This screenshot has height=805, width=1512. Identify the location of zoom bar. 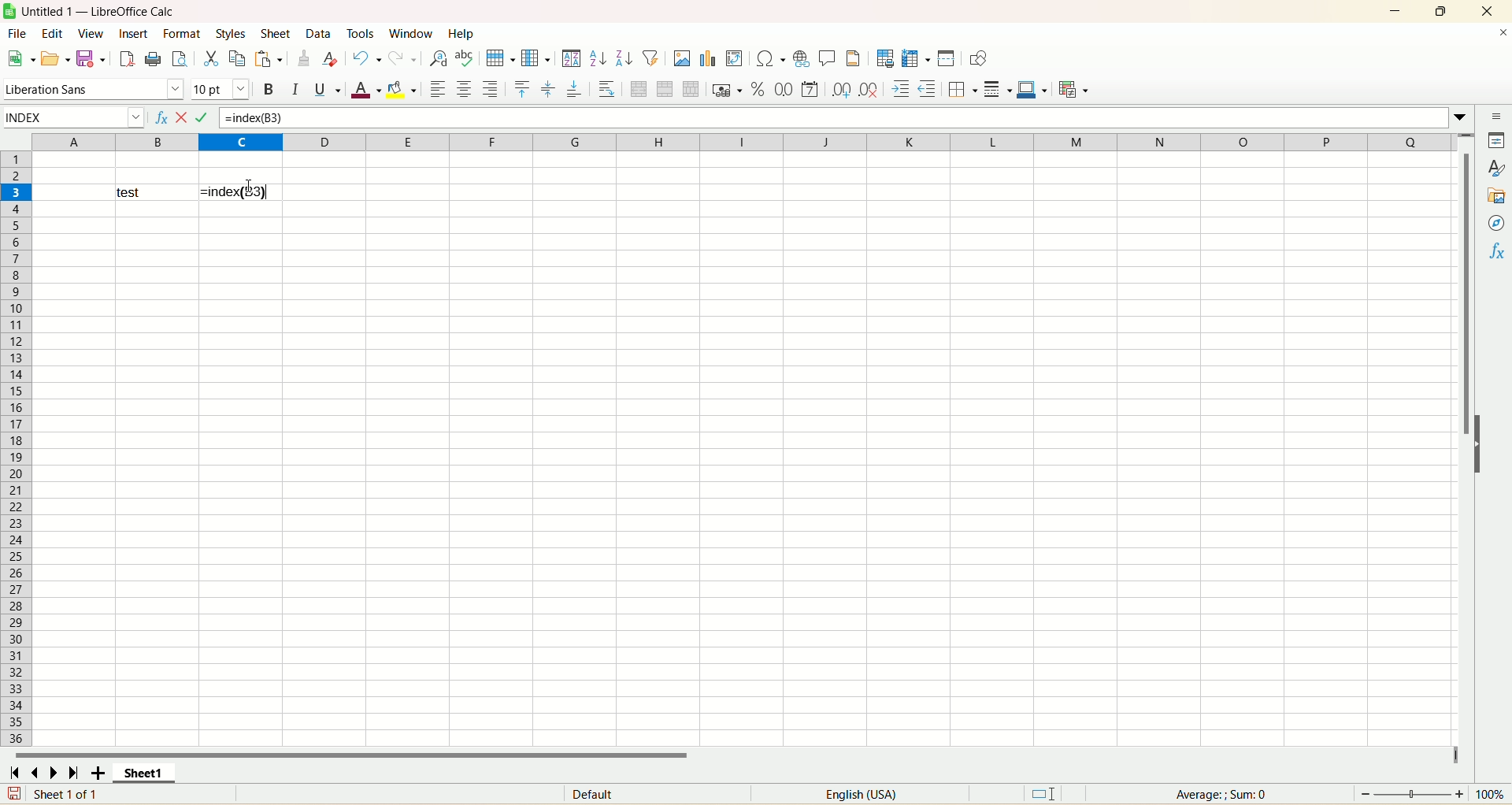
(1412, 794).